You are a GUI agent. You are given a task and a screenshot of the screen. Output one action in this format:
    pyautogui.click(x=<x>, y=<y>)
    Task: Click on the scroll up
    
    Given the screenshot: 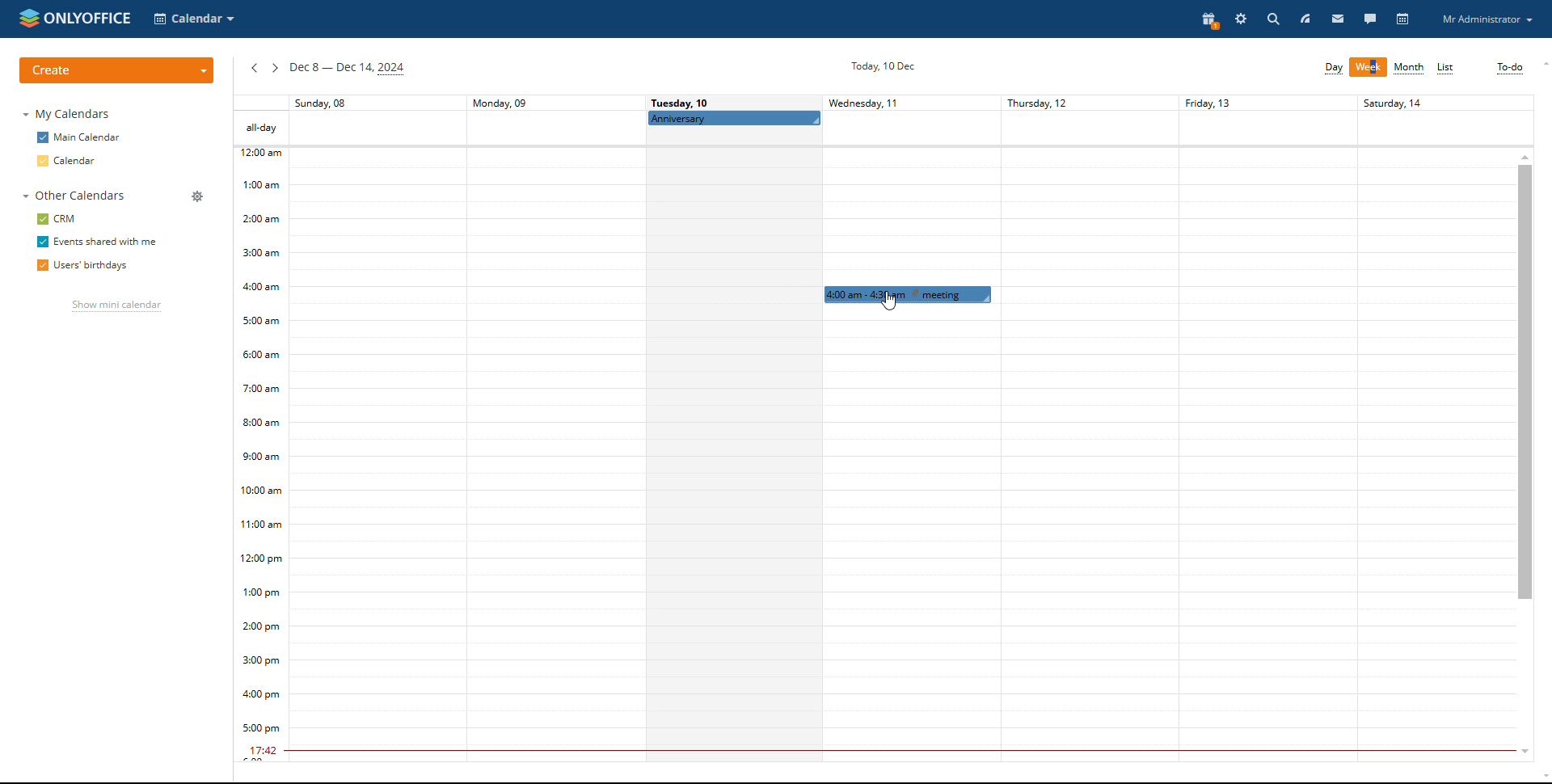 What is the action you would take?
    pyautogui.click(x=1525, y=155)
    